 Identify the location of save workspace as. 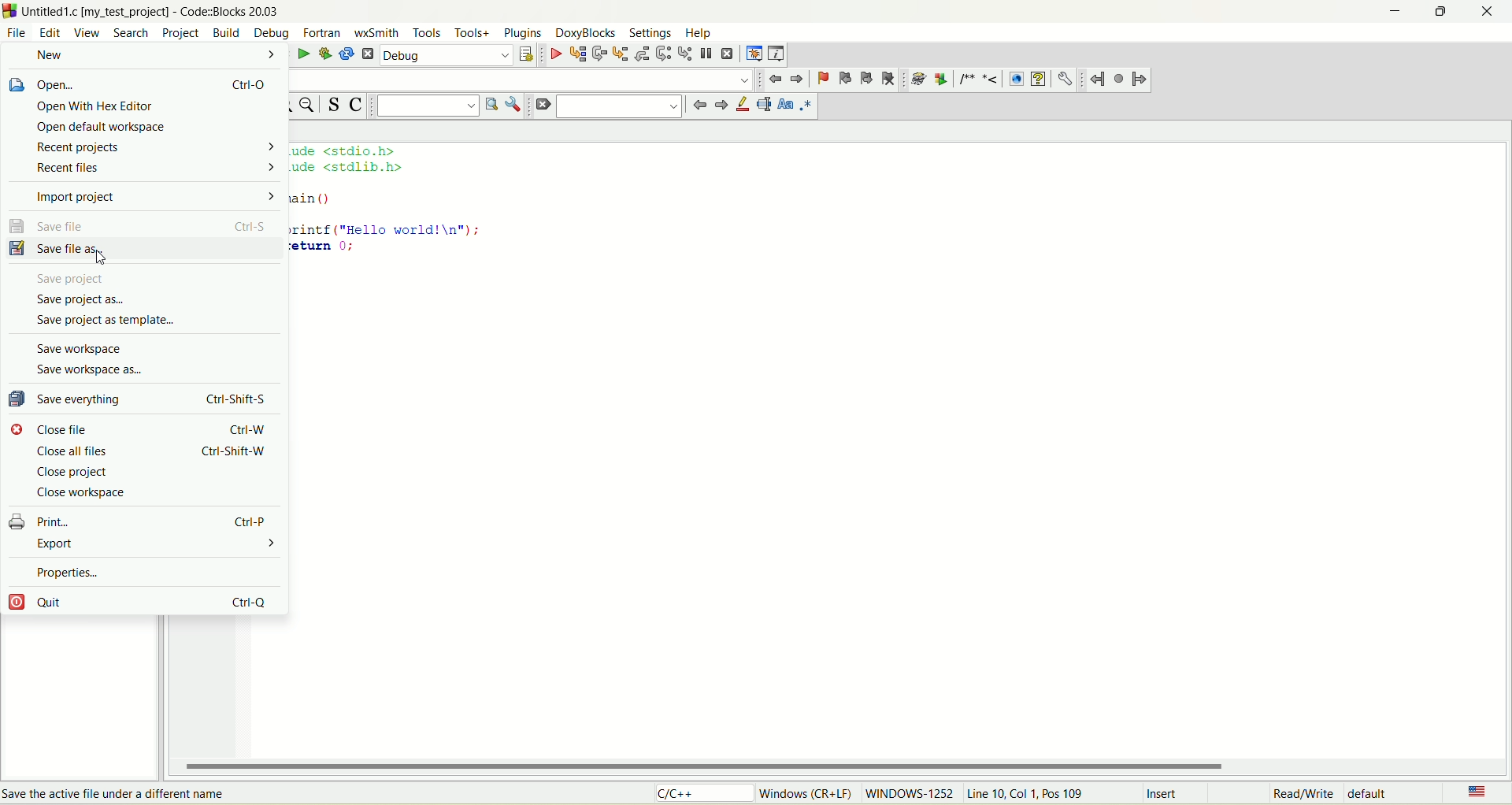
(94, 370).